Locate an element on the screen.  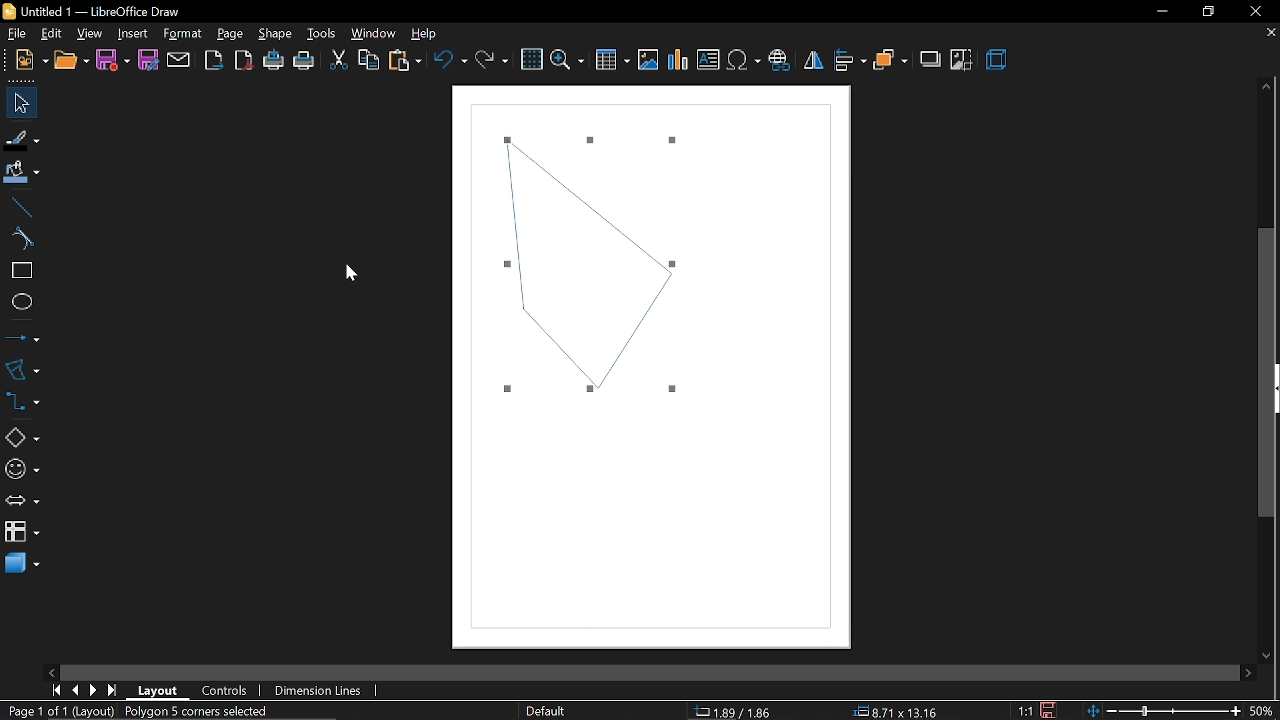
select is located at coordinates (18, 103).